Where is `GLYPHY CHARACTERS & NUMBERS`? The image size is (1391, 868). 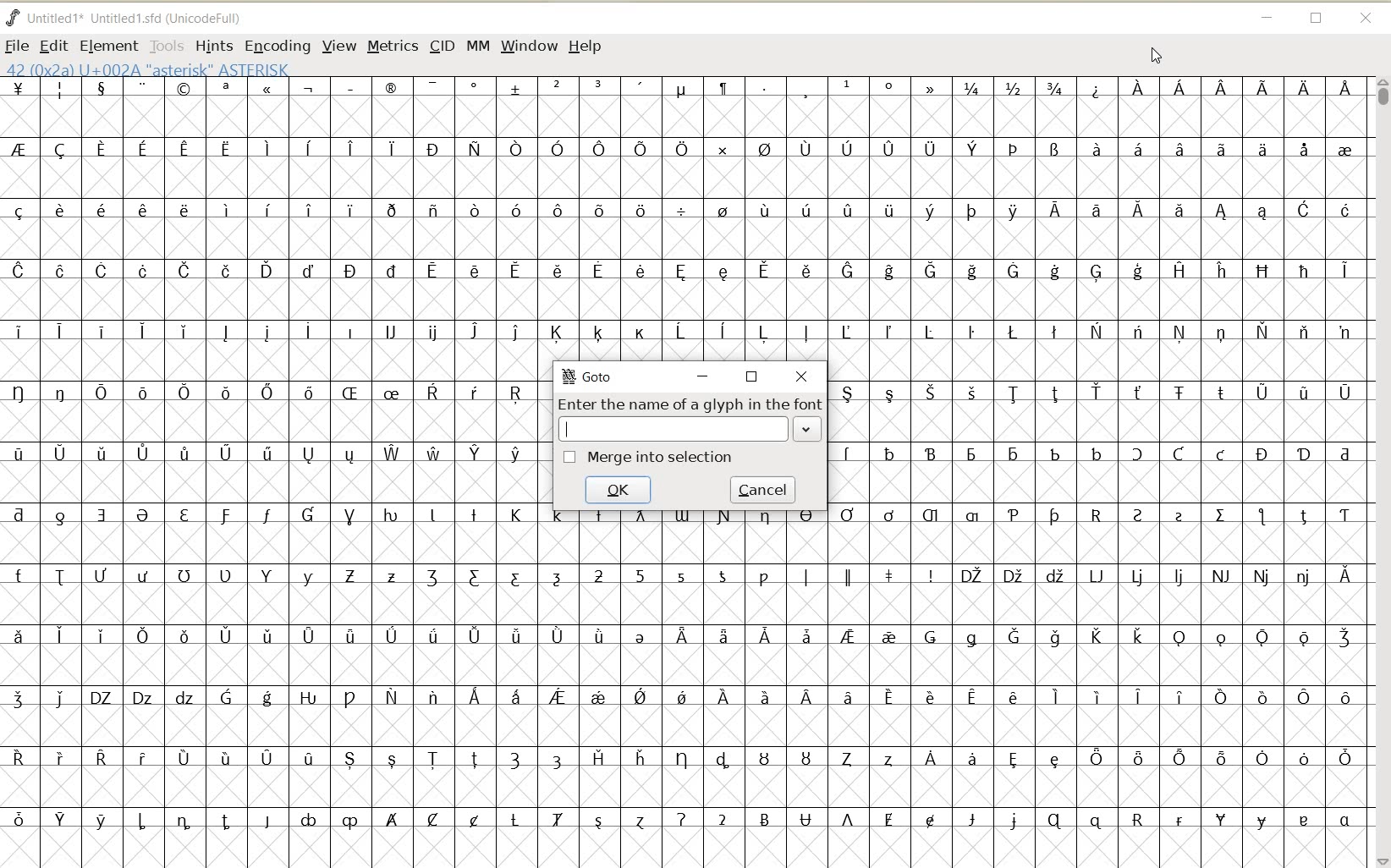
GLYPHY CHARACTERS & NUMBERS is located at coordinates (681, 217).